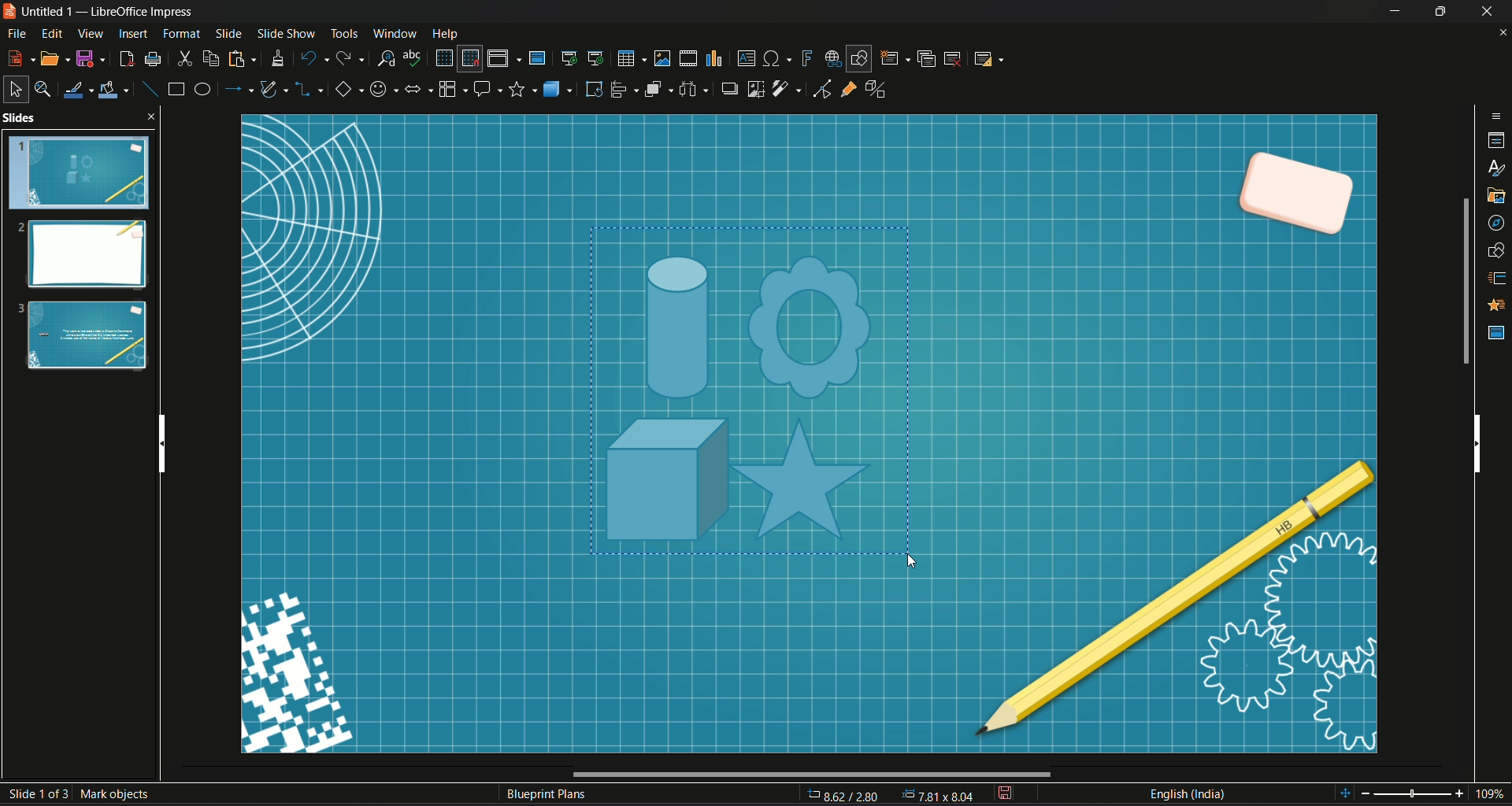 The width and height of the screenshot is (1512, 806). Describe the element at coordinates (114, 91) in the screenshot. I see `fill color` at that location.